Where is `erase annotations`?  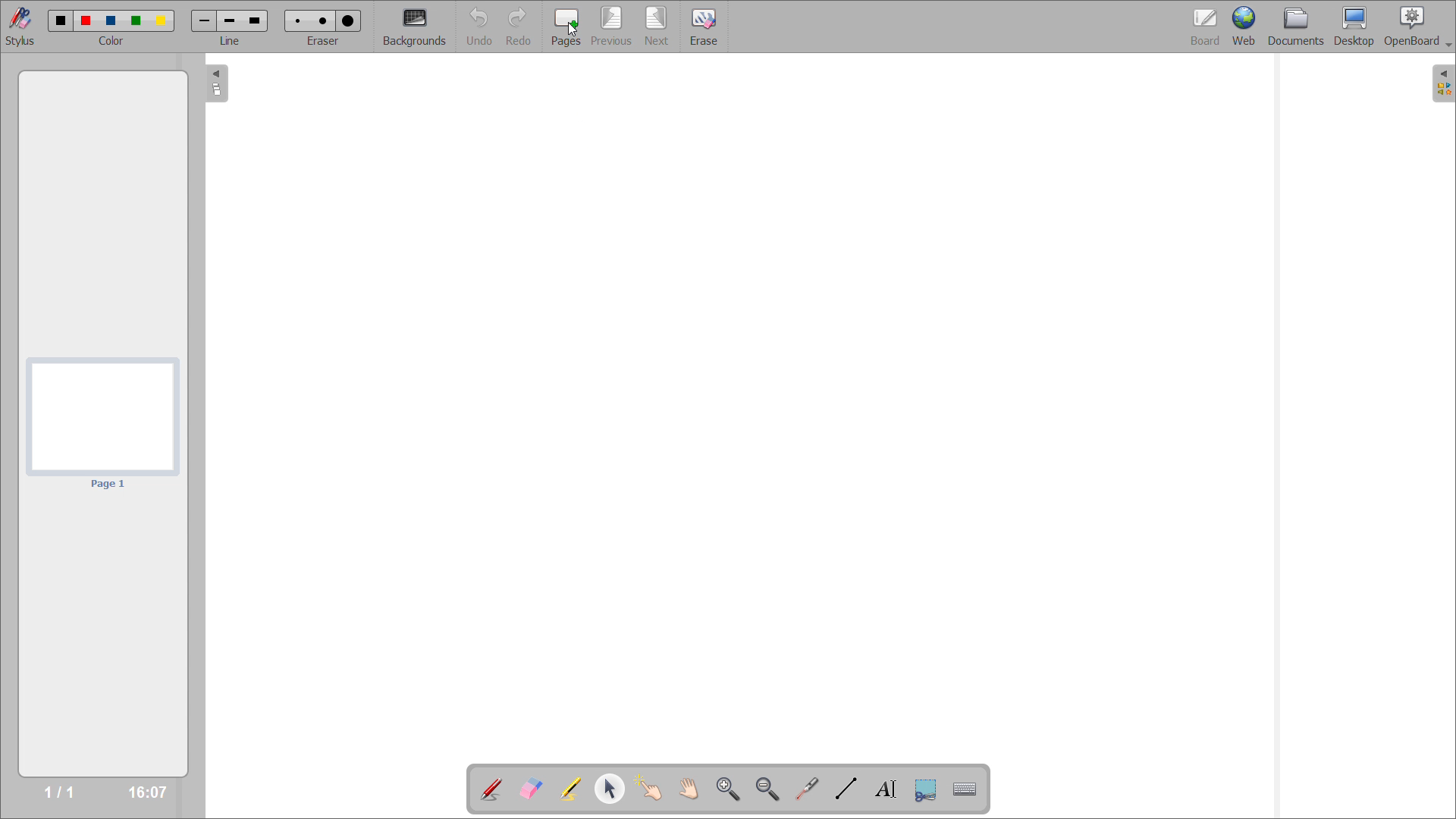 erase annotations is located at coordinates (529, 789).